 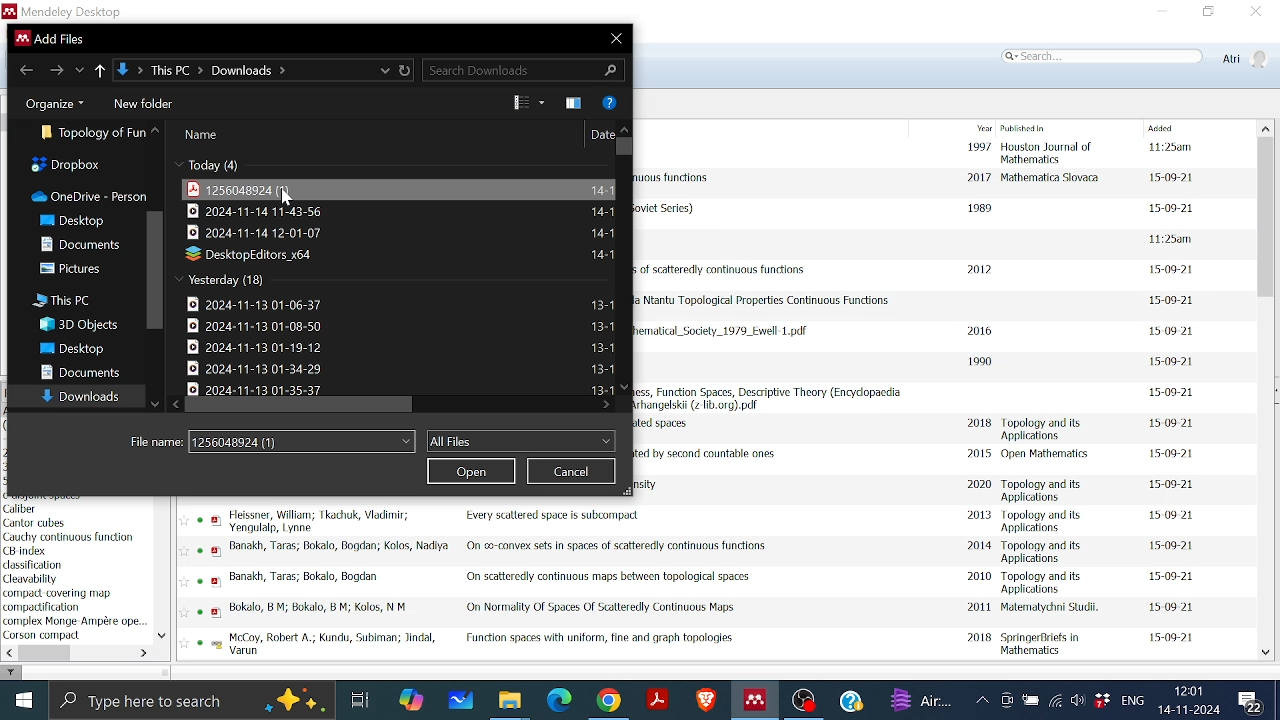 I want to click on date, so click(x=1173, y=177).